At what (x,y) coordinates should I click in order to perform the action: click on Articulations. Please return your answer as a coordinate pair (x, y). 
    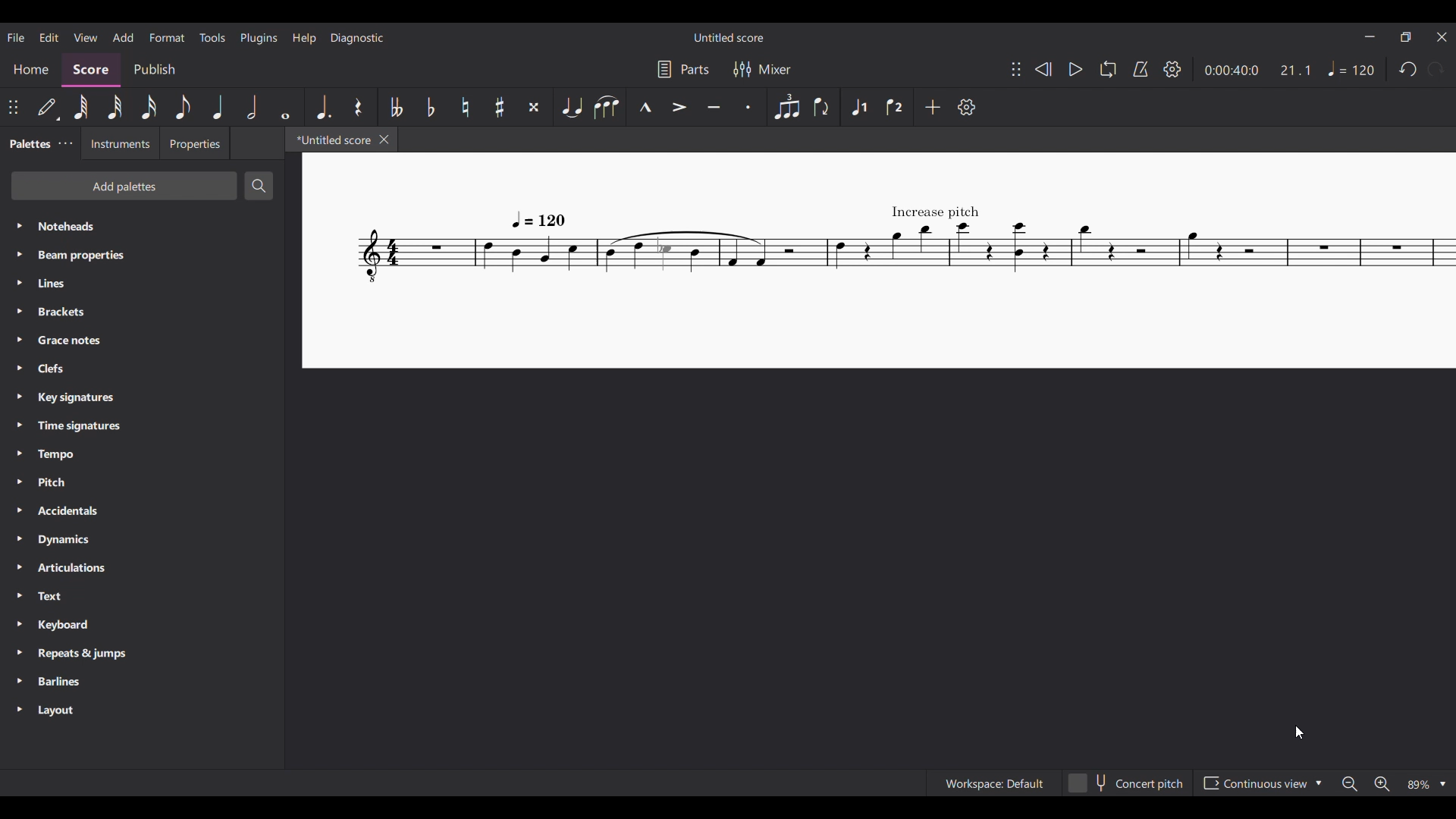
    Looking at the image, I should click on (141, 567).